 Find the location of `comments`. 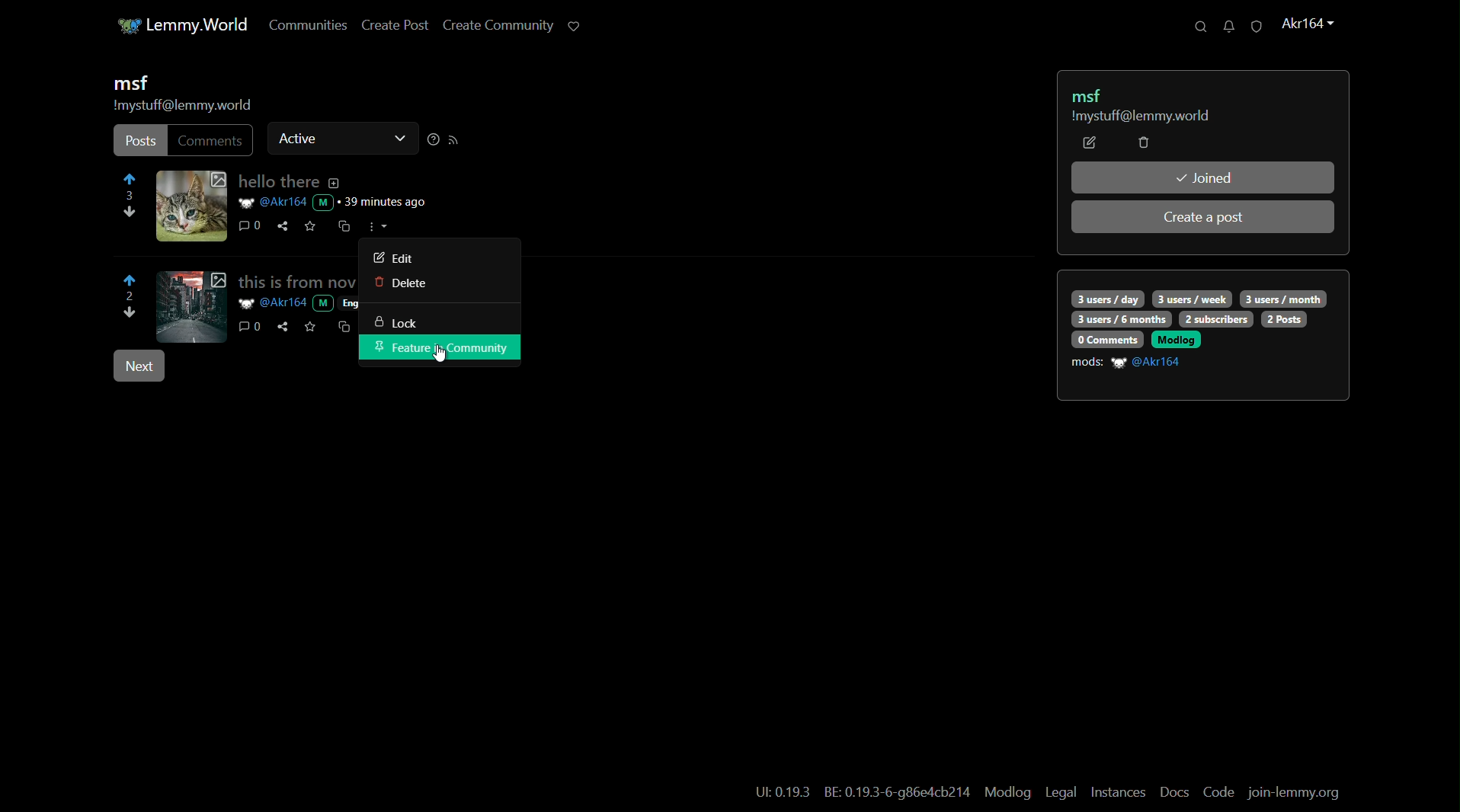

comments is located at coordinates (248, 327).